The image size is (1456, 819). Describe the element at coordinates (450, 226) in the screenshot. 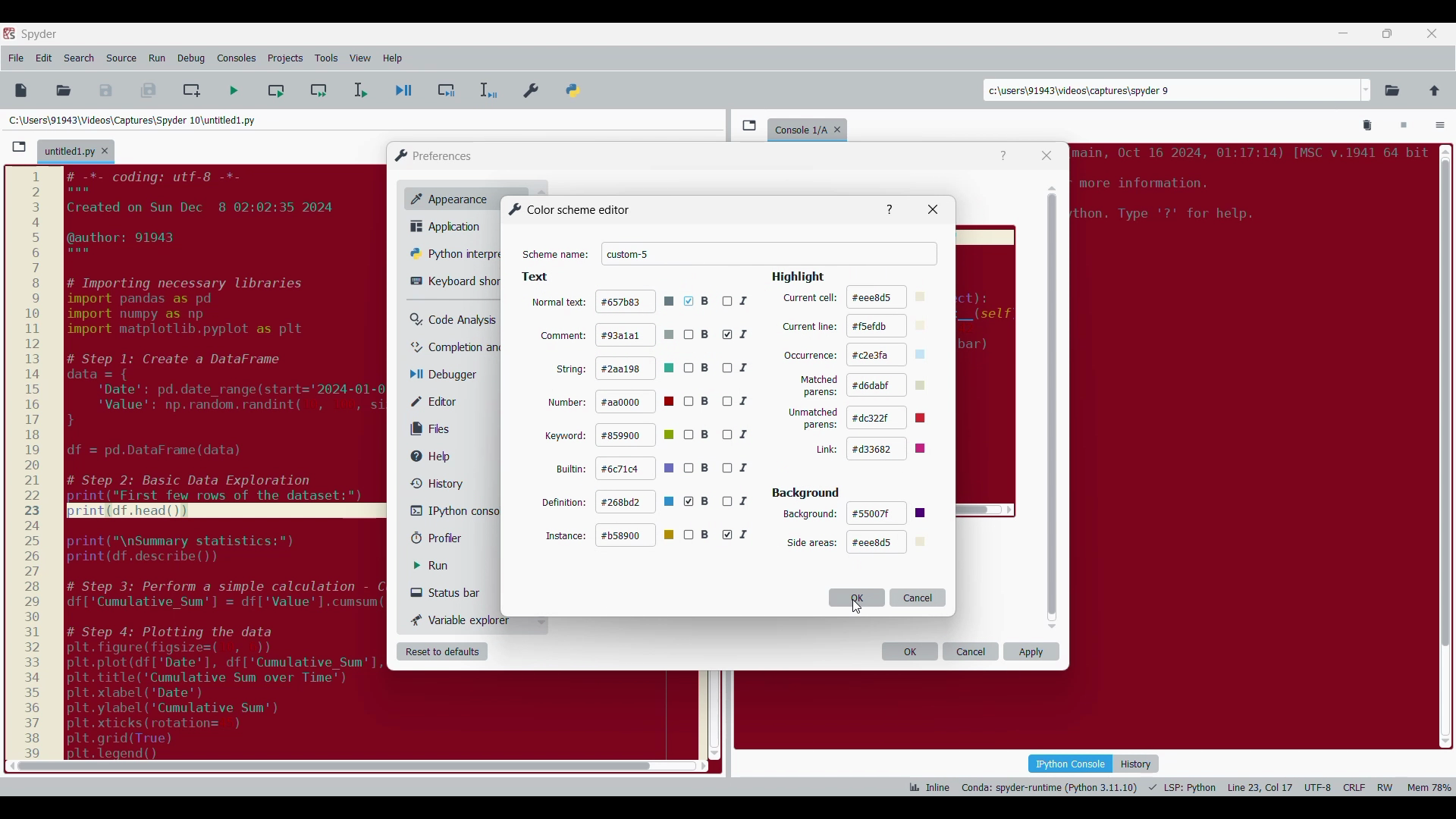

I see `Application` at that location.